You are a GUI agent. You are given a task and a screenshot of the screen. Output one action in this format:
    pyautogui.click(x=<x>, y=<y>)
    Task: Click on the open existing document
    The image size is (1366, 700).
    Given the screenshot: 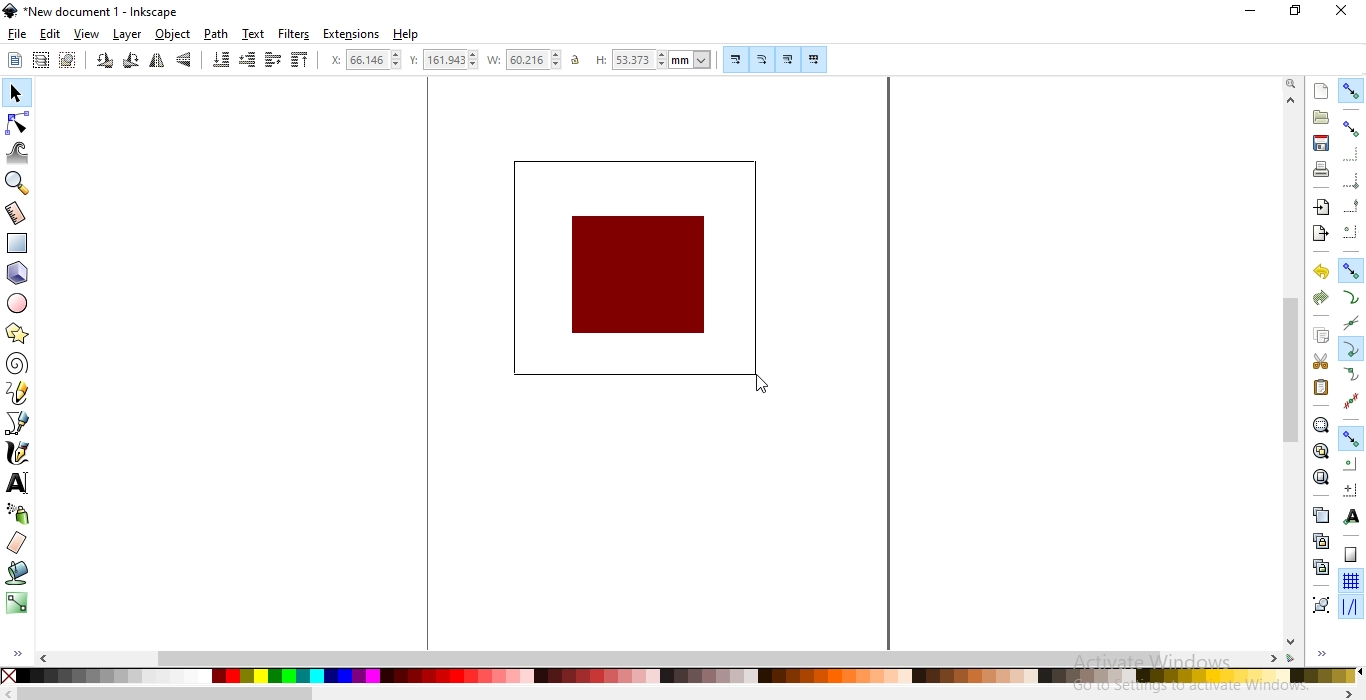 What is the action you would take?
    pyautogui.click(x=1321, y=117)
    